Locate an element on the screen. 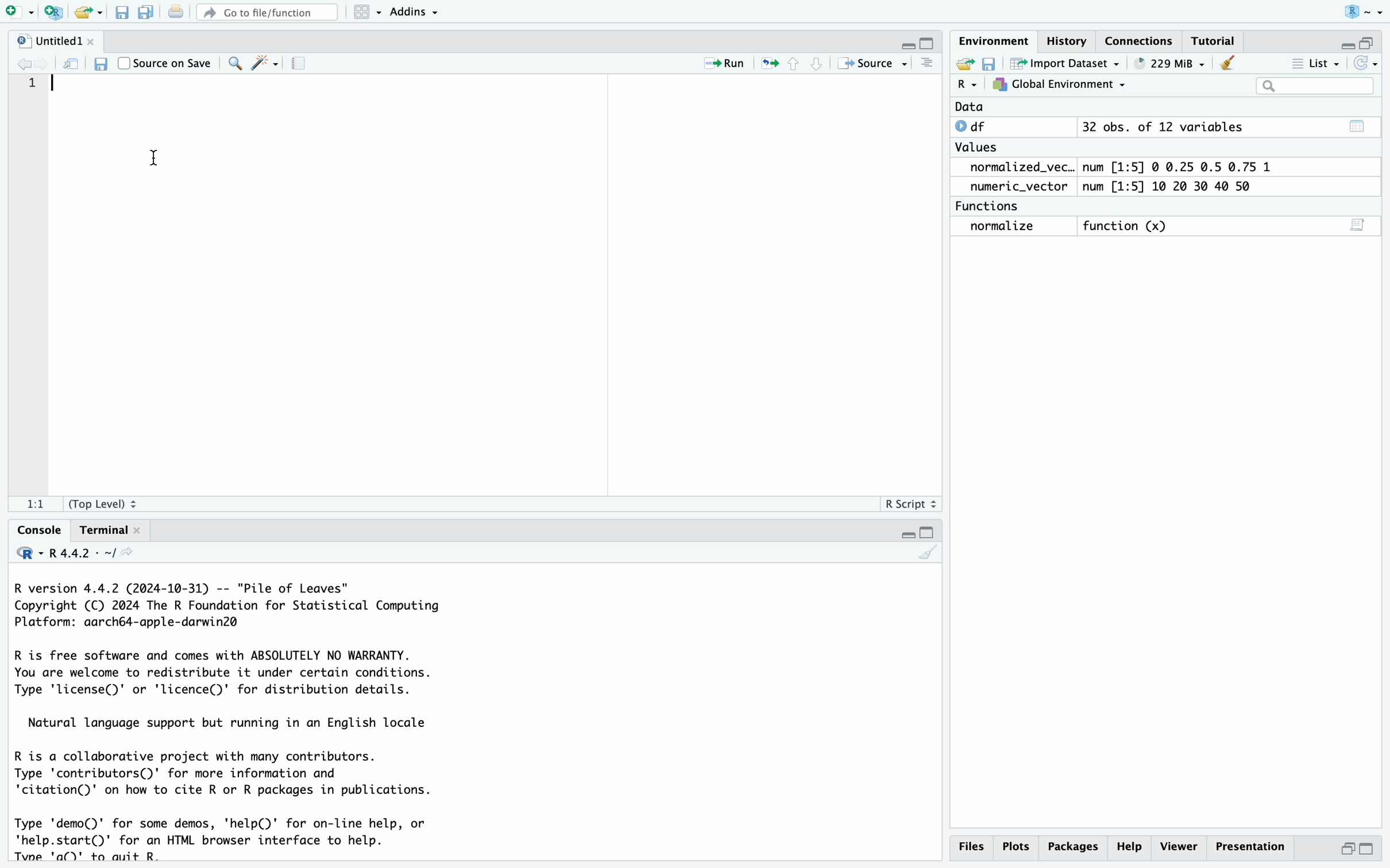 The height and width of the screenshot is (868, 1390). Show document outline is located at coordinates (928, 64).